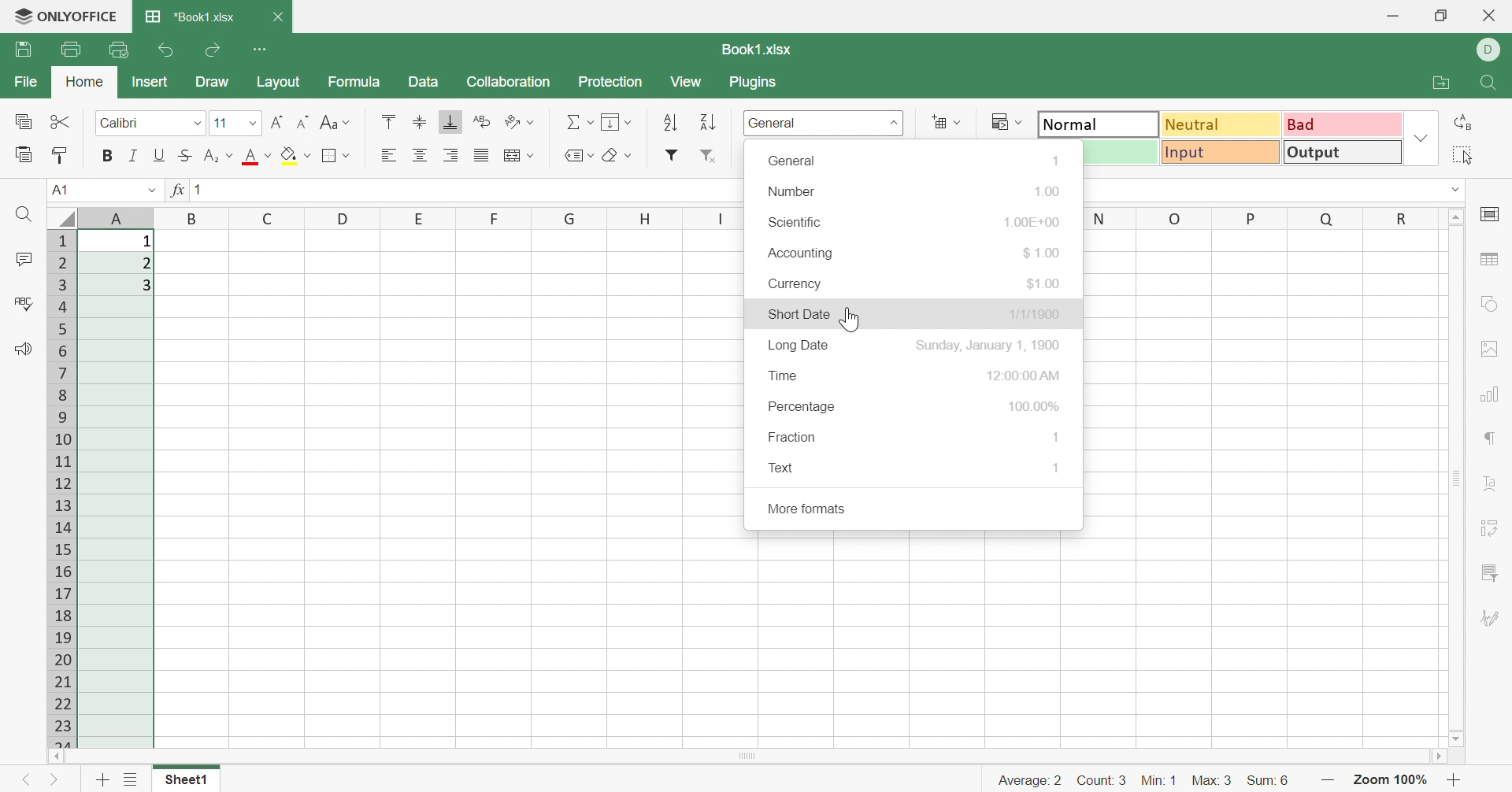 The height and width of the screenshot is (792, 1512). What do you see at coordinates (1345, 152) in the screenshot?
I see `Output` at bounding box center [1345, 152].